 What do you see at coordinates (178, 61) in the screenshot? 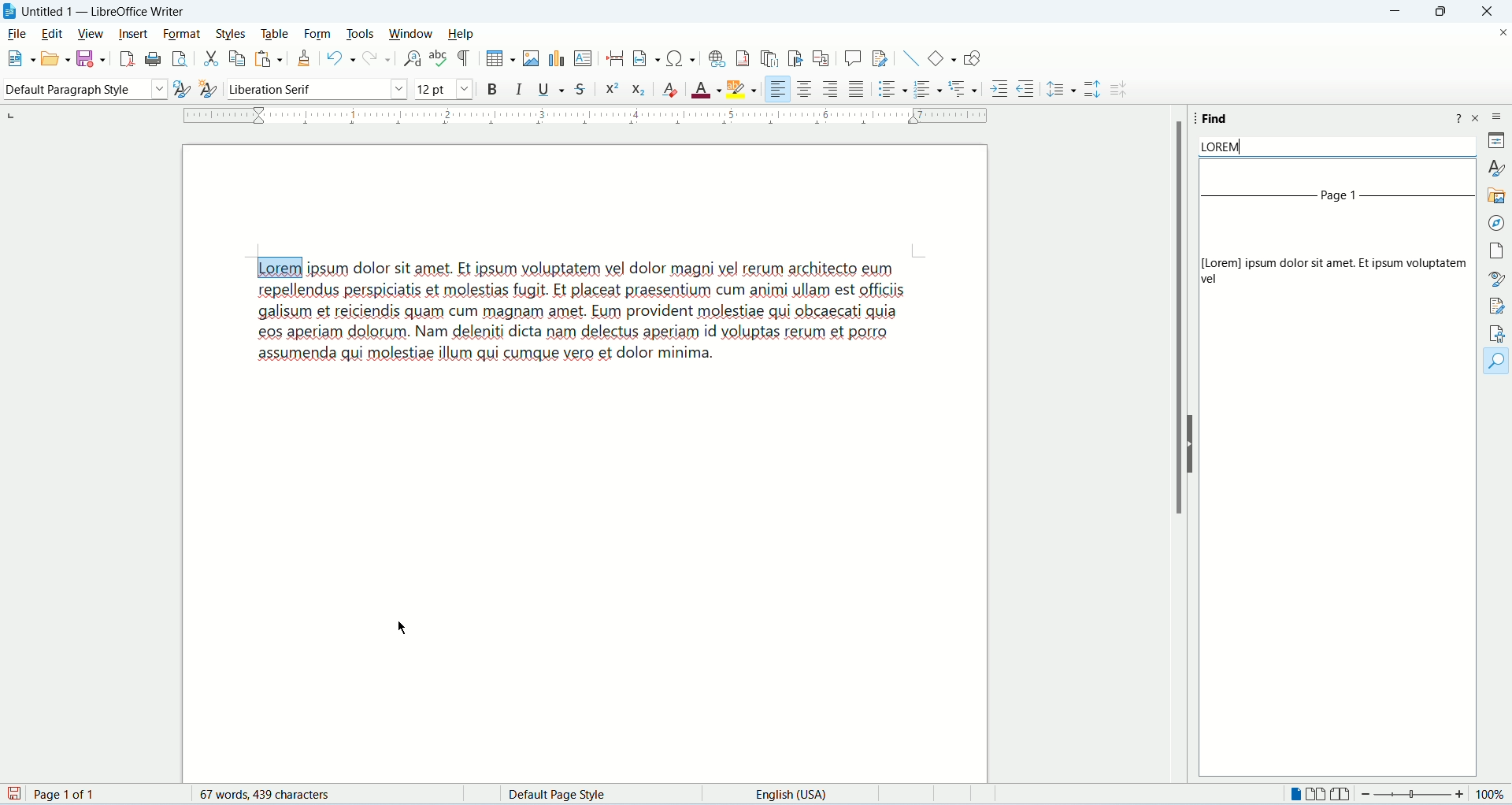
I see `print preview` at bounding box center [178, 61].